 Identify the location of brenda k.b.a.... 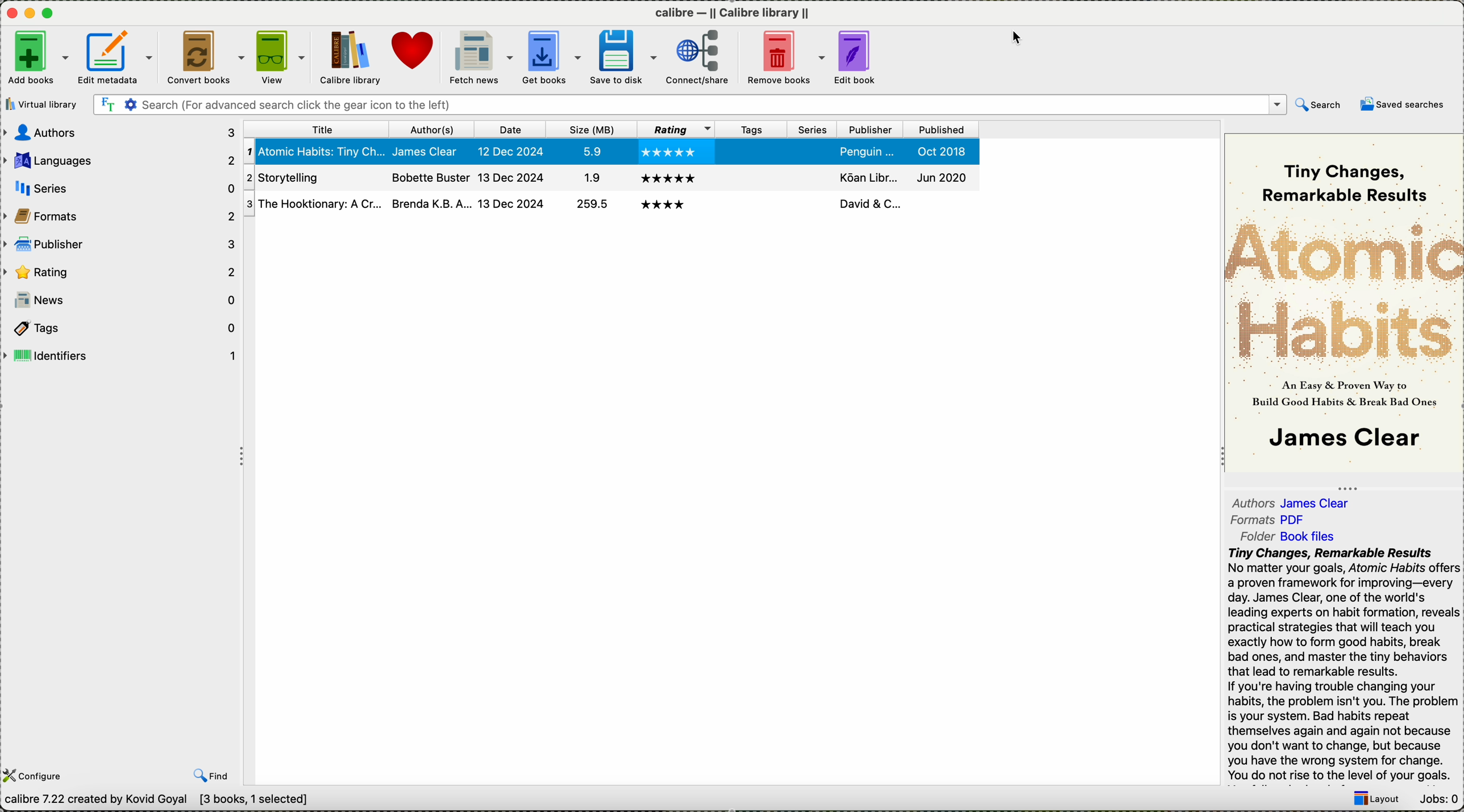
(430, 176).